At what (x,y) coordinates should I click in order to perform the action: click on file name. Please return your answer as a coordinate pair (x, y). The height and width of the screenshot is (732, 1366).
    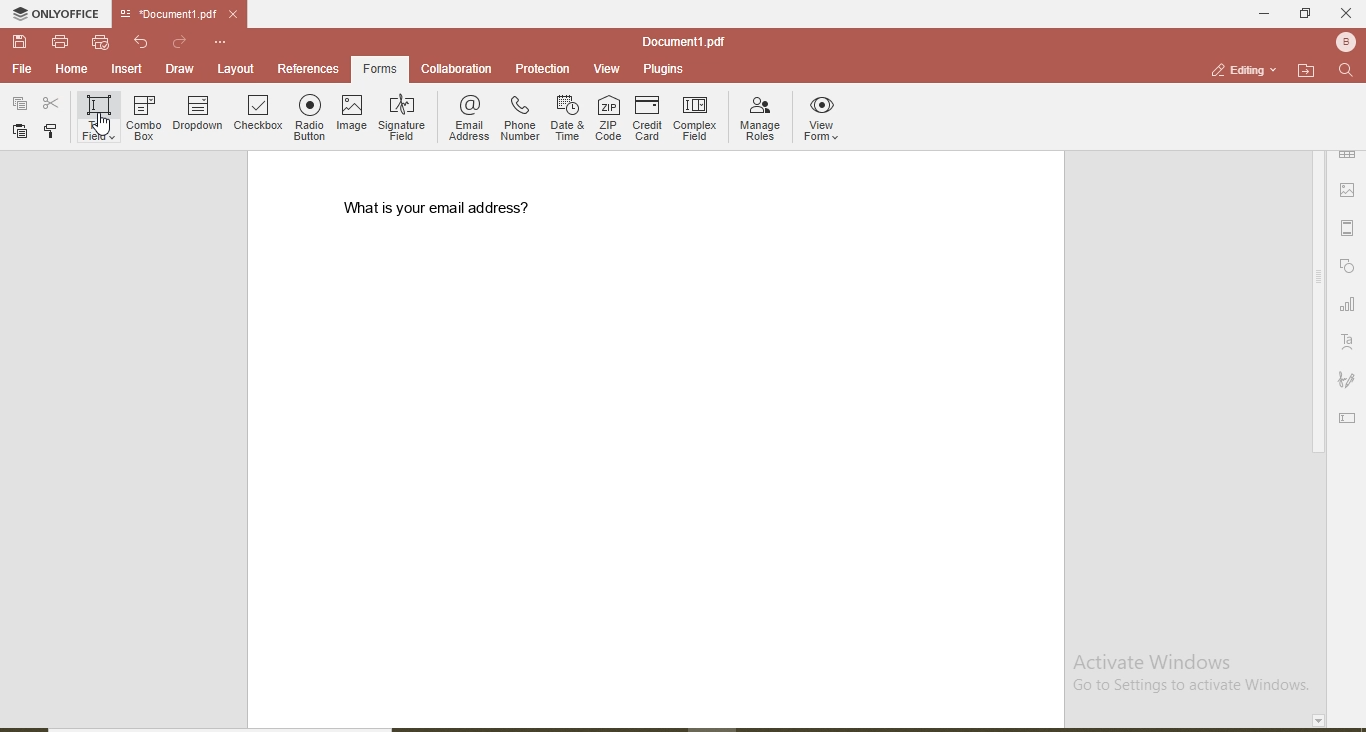
    Looking at the image, I should click on (164, 15).